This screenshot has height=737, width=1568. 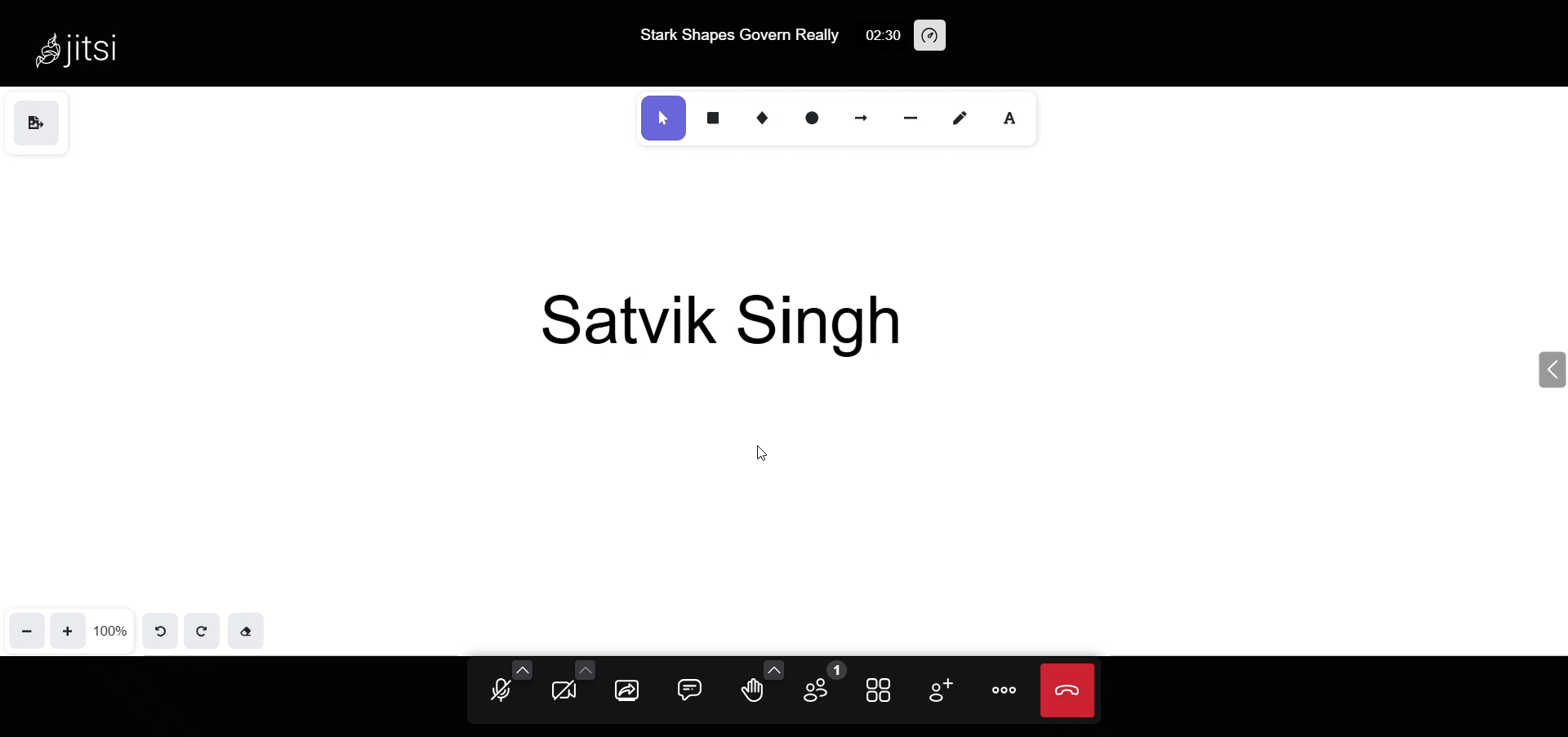 I want to click on more emoji, so click(x=771, y=669).